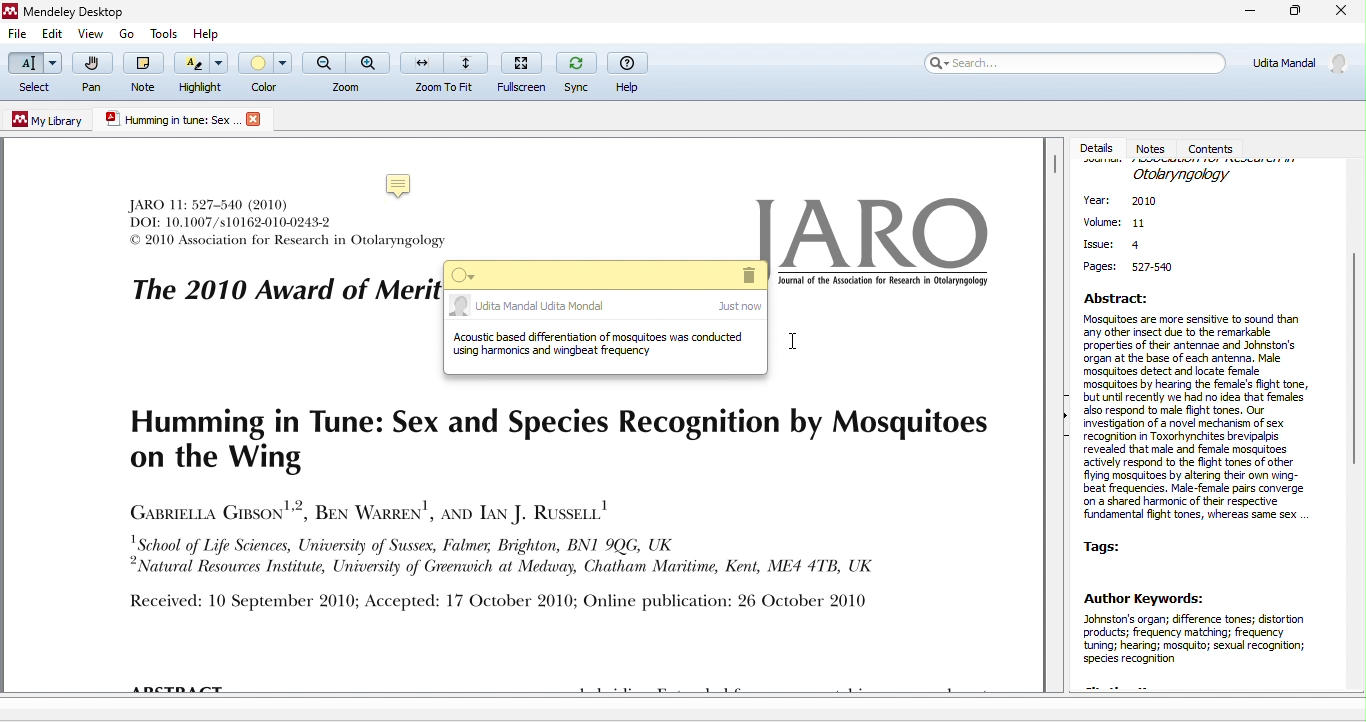  Describe the element at coordinates (81, 12) in the screenshot. I see `Mendeley Desktop` at that location.